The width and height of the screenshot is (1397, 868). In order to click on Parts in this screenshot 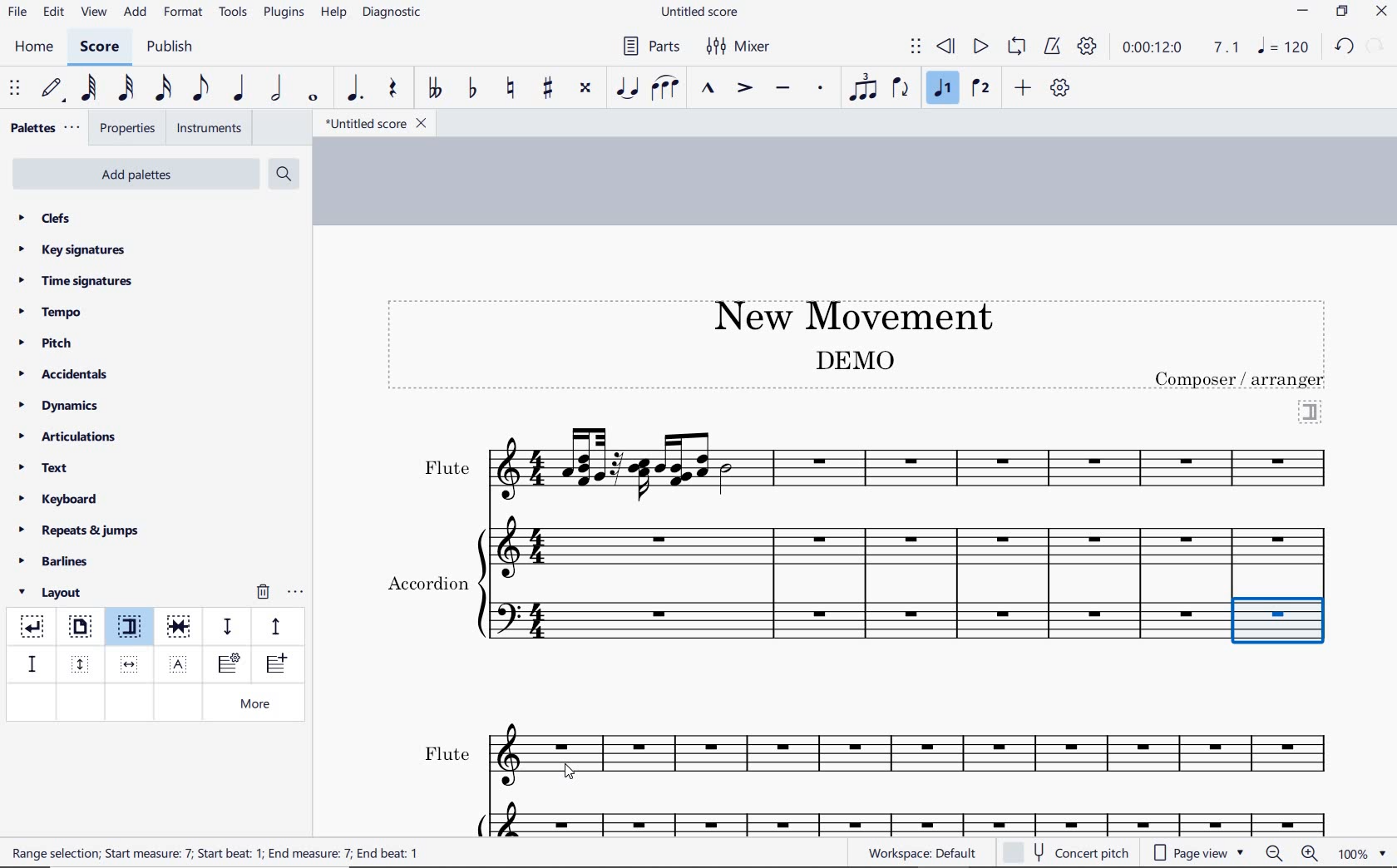, I will do `click(648, 47)`.